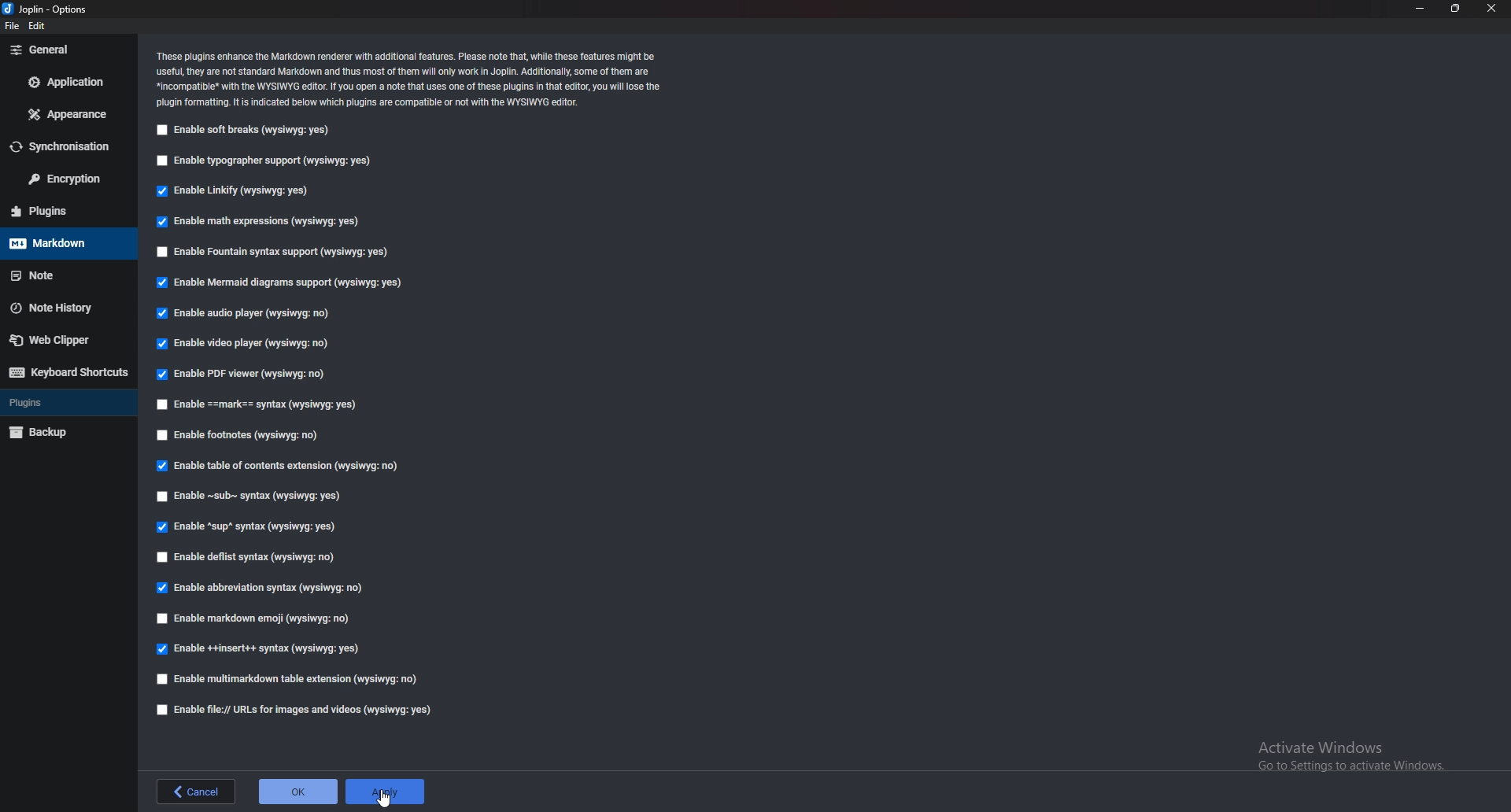  I want to click on Keyboard shortcuts, so click(71, 372).